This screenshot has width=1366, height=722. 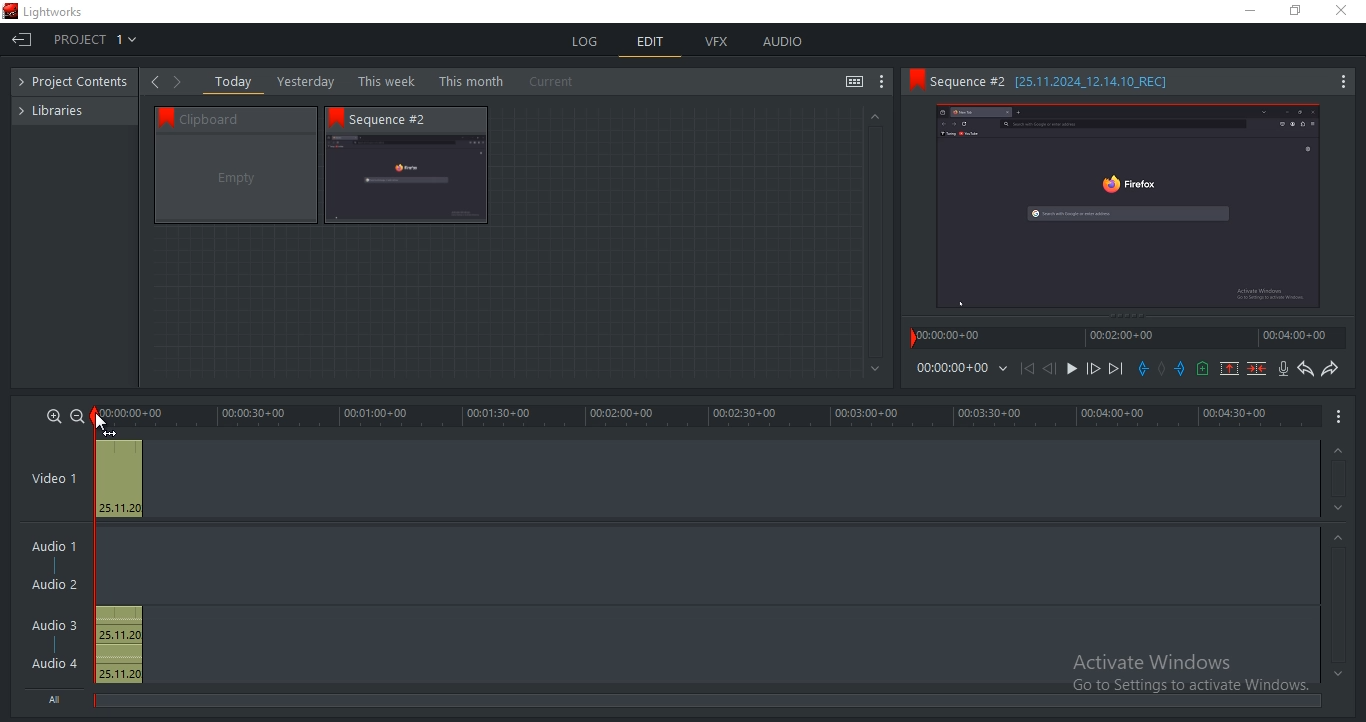 What do you see at coordinates (154, 81) in the screenshot?
I see `Show options to the left` at bounding box center [154, 81].